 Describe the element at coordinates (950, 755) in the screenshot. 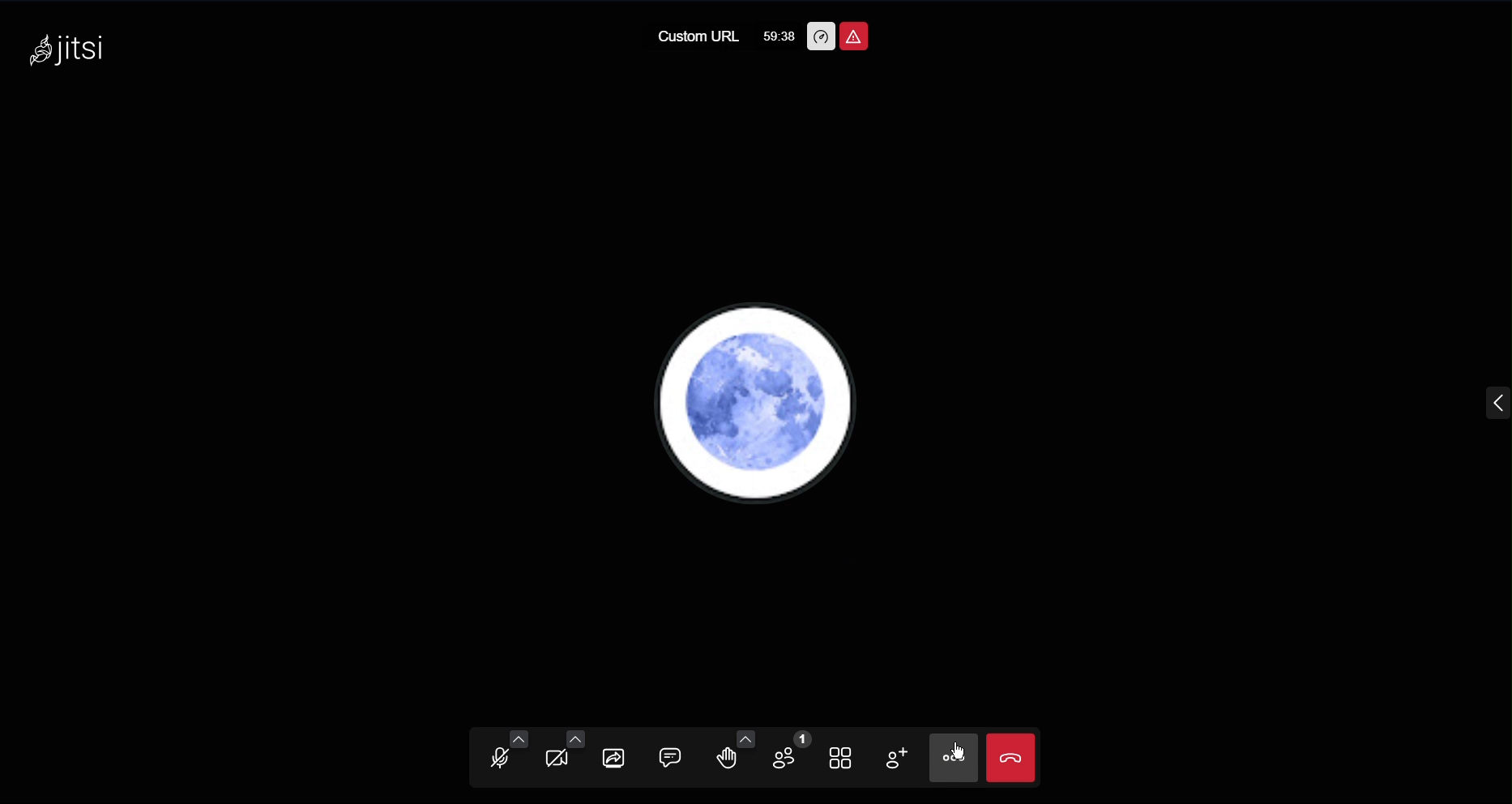

I see `More` at that location.